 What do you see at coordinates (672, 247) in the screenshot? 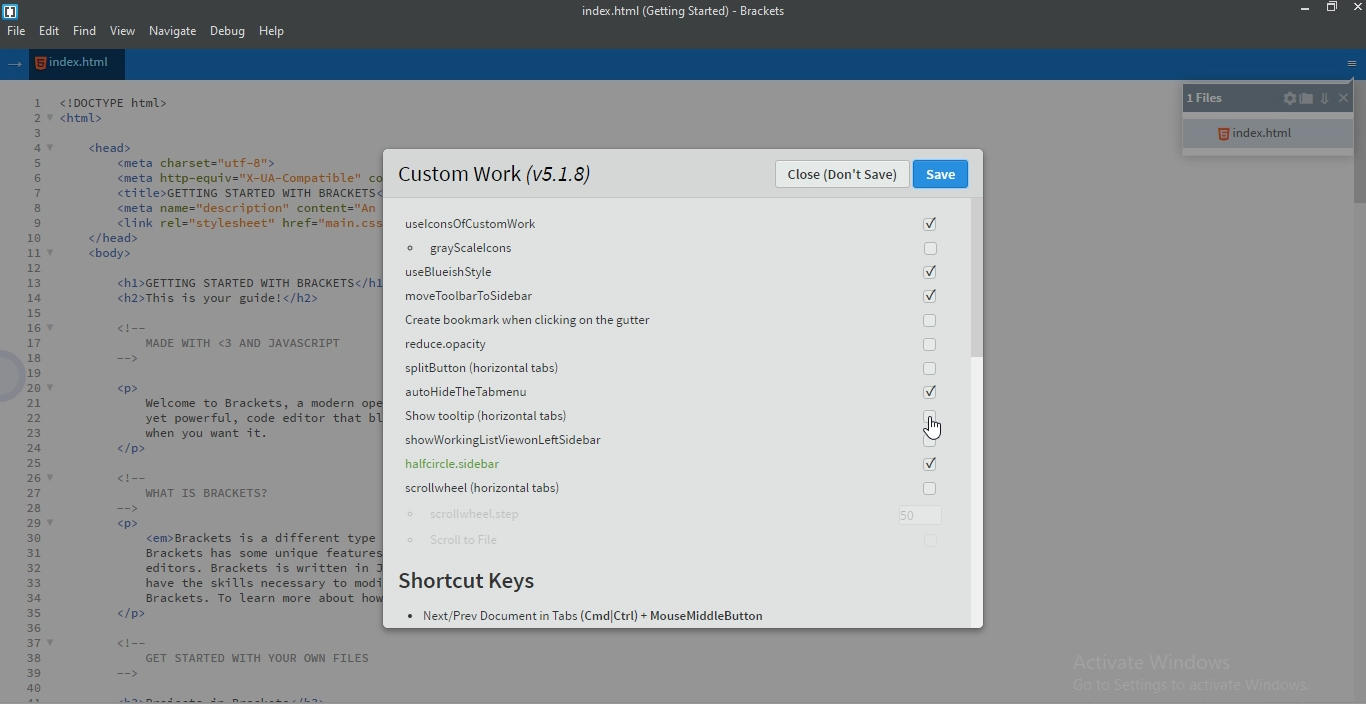
I see `grayscalelcons` at bounding box center [672, 247].